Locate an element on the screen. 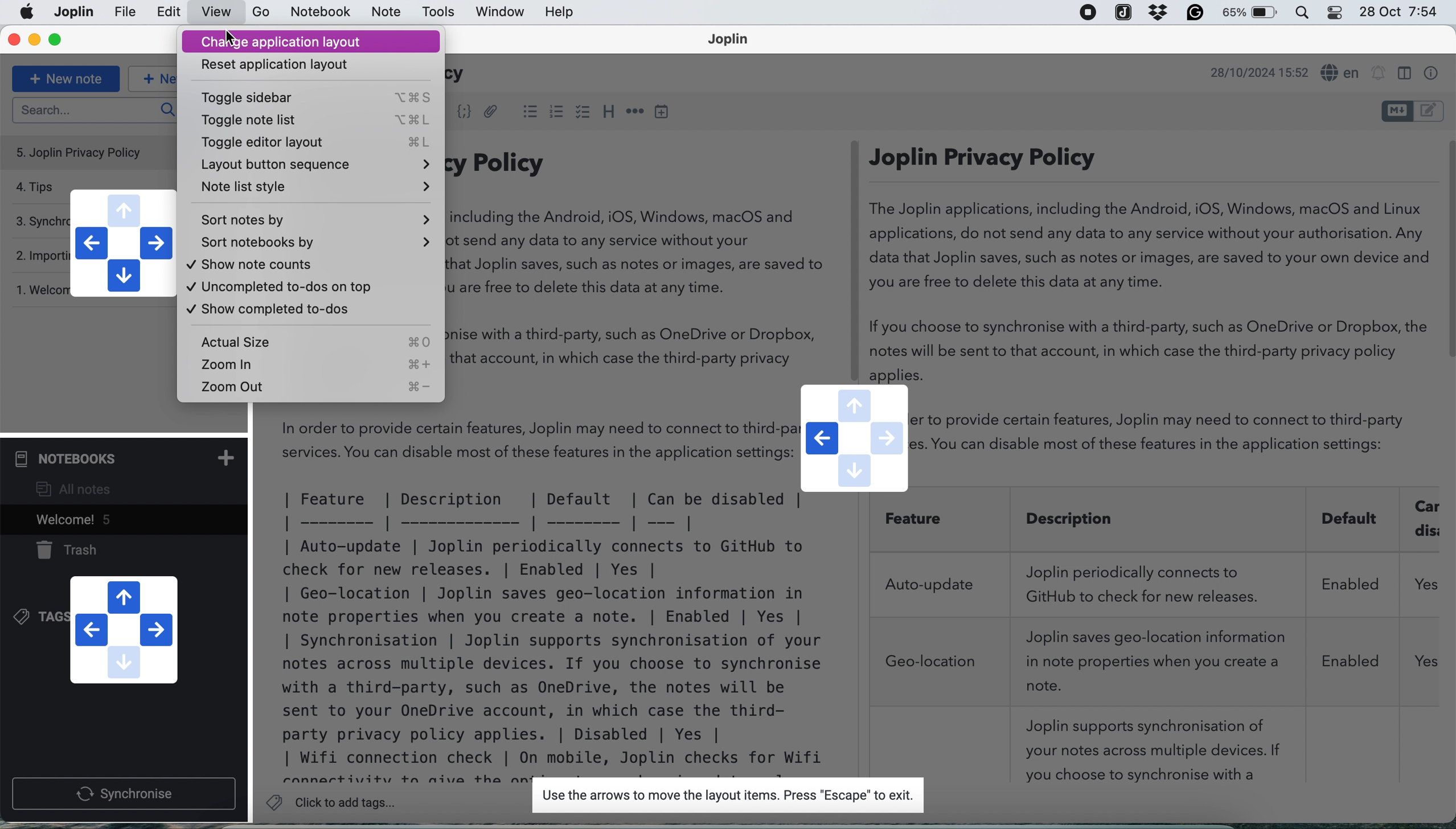 Image resolution: width=1456 pixels, height=829 pixels. Change application layout  is located at coordinates (313, 41).